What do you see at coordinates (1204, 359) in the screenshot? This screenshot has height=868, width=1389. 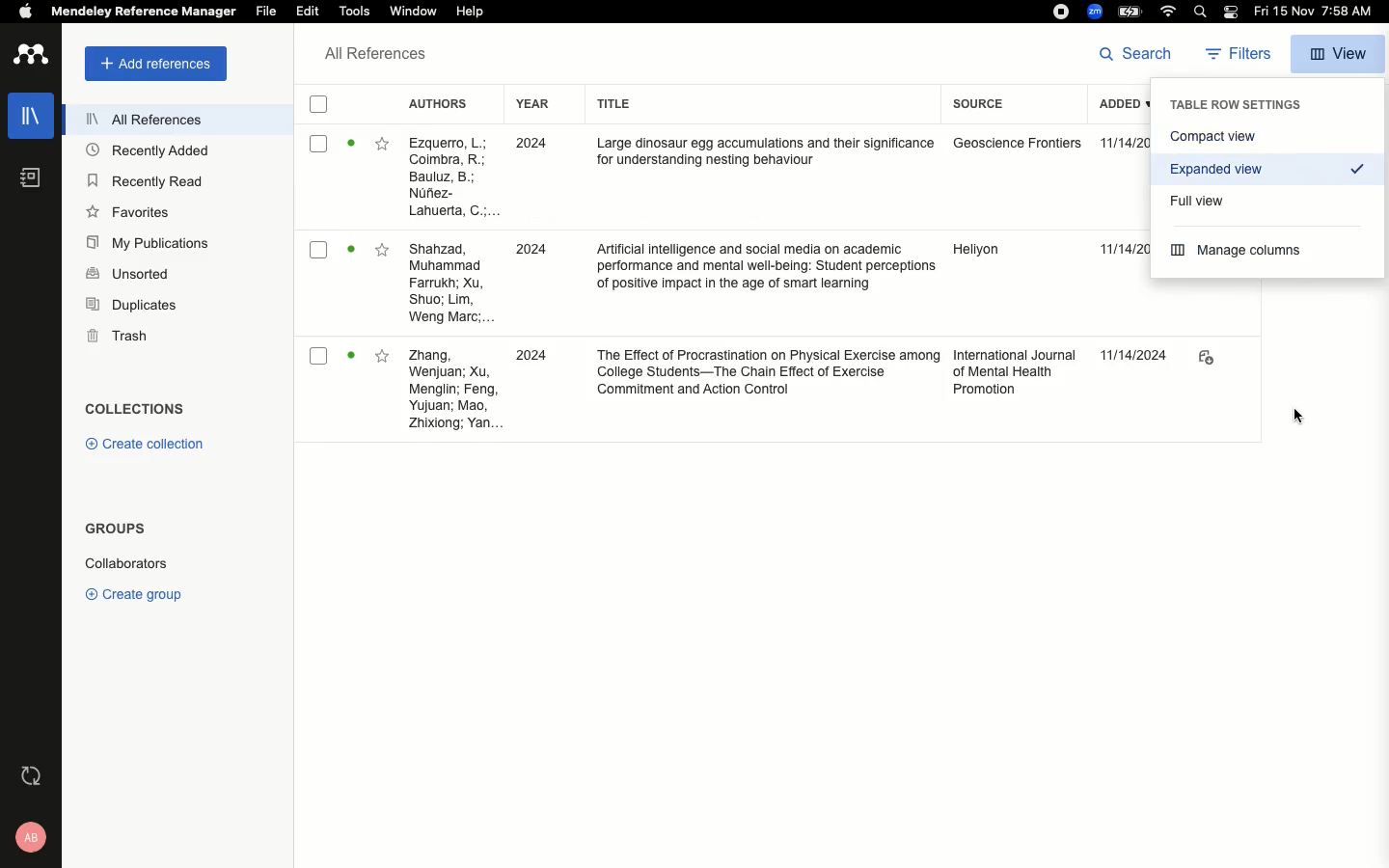 I see `pdf` at bounding box center [1204, 359].